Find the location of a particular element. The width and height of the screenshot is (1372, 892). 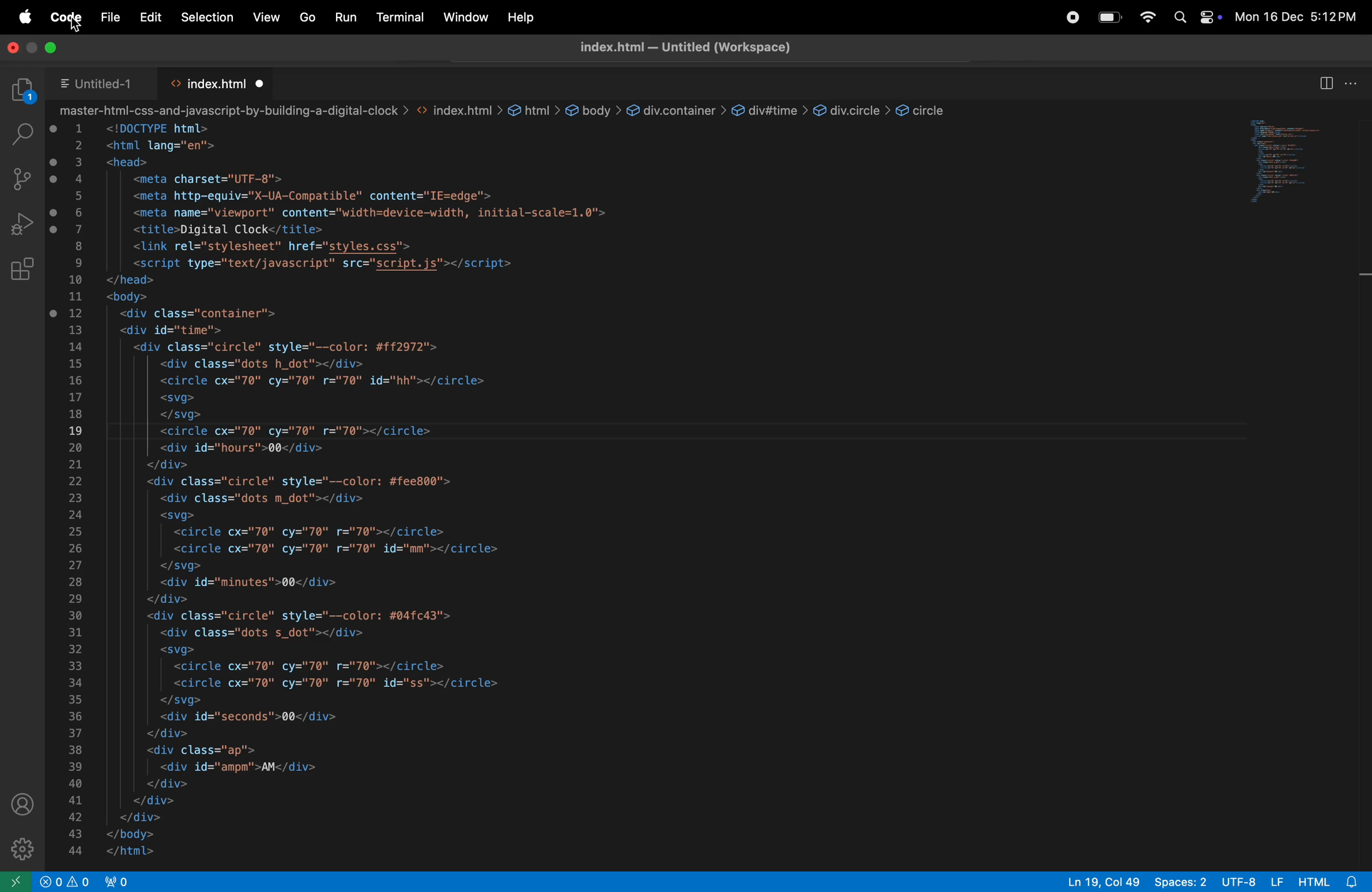

window is located at coordinates (463, 17).